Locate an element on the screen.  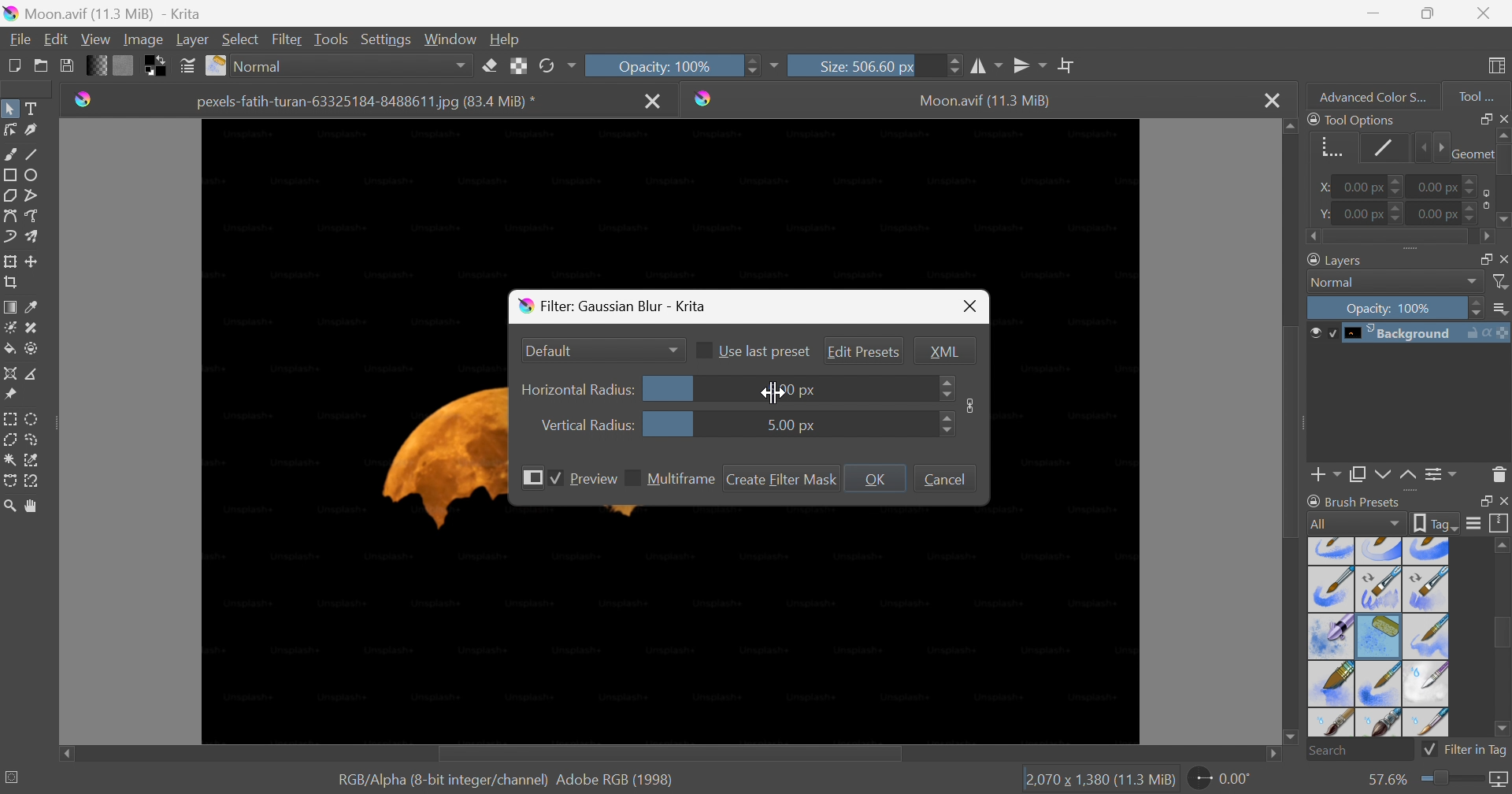
Scroll up is located at coordinates (1289, 126).